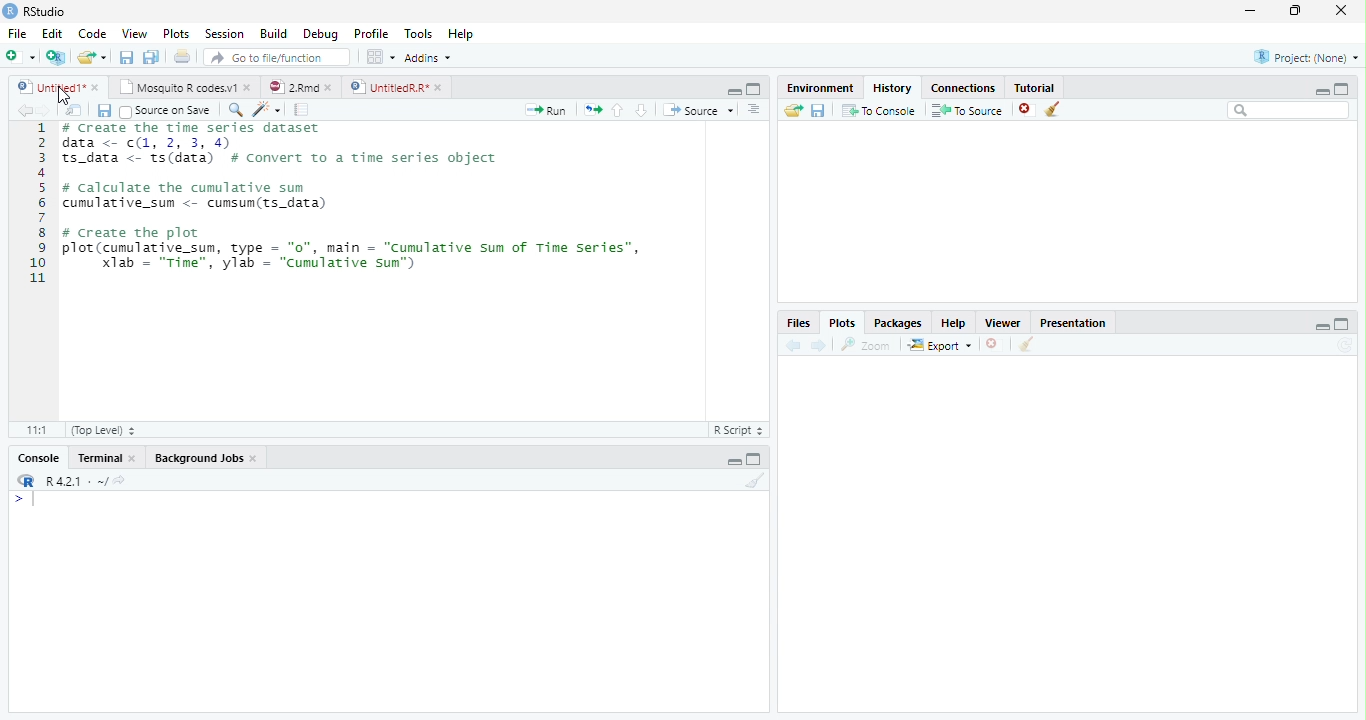 The image size is (1366, 720). I want to click on Plots, so click(177, 34).